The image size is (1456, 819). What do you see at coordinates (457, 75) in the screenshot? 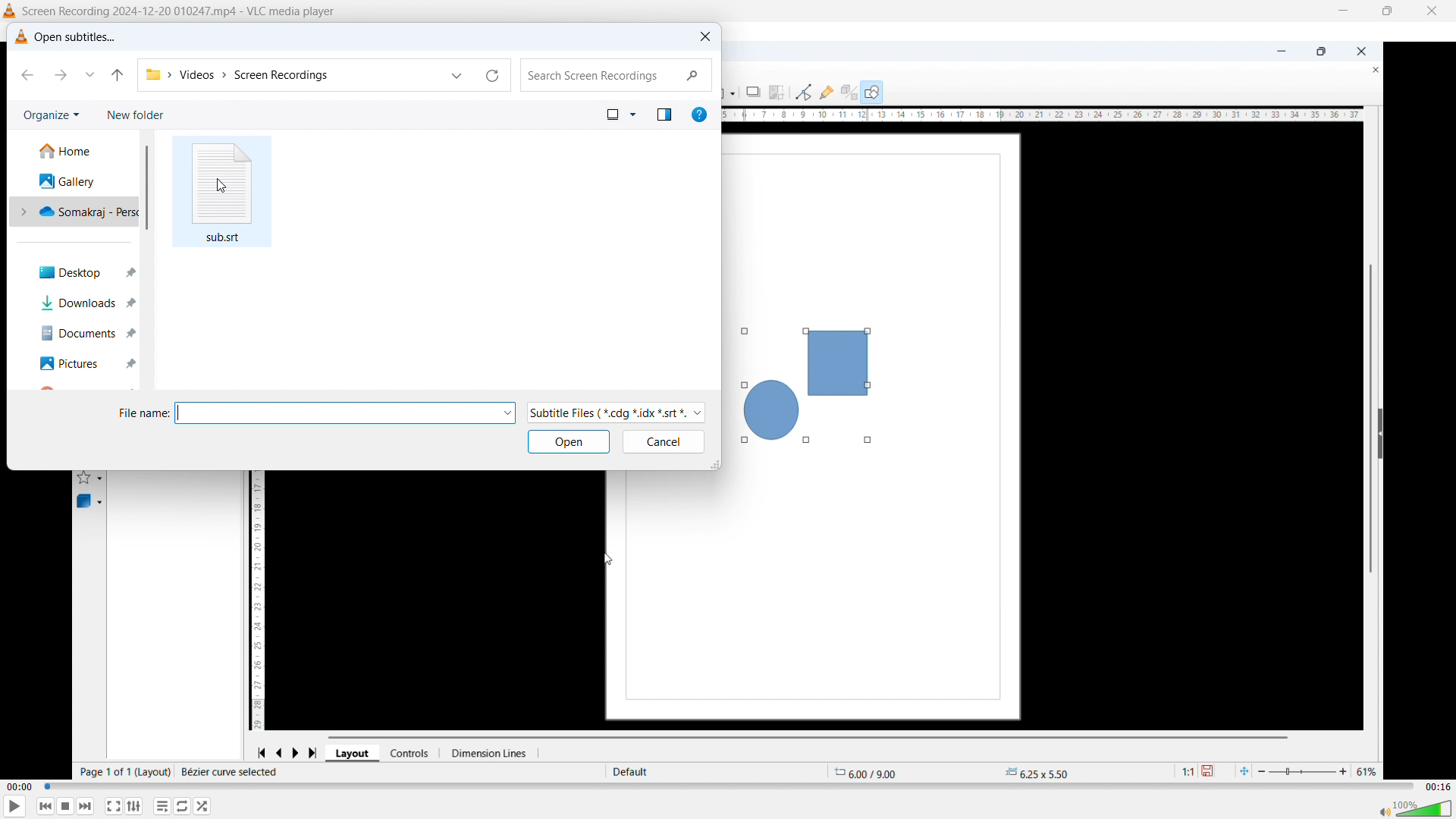
I see `Recent locations ` at bounding box center [457, 75].